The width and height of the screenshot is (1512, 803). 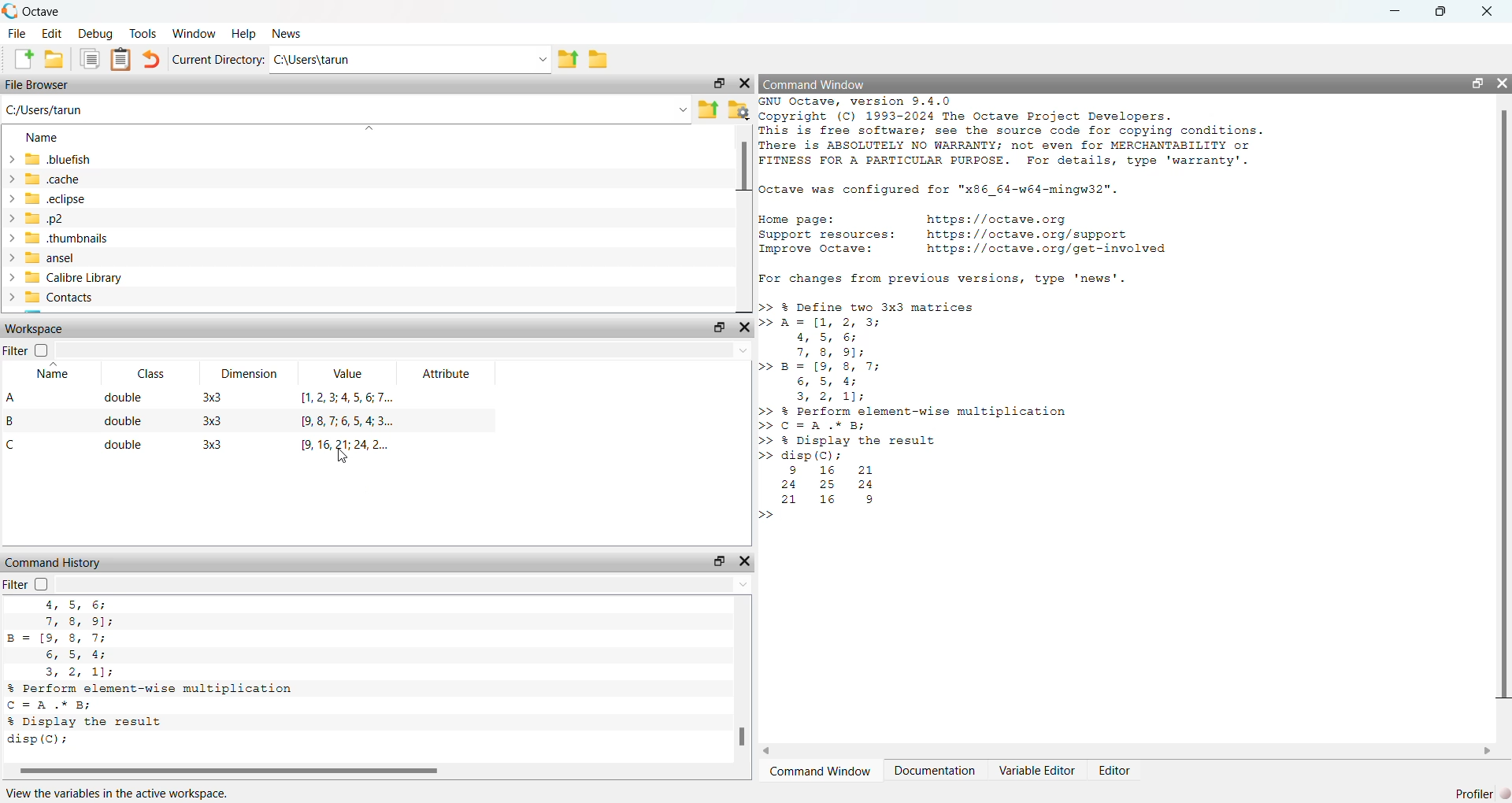 What do you see at coordinates (78, 654) in the screenshot?
I see `6; 5, 4;` at bounding box center [78, 654].